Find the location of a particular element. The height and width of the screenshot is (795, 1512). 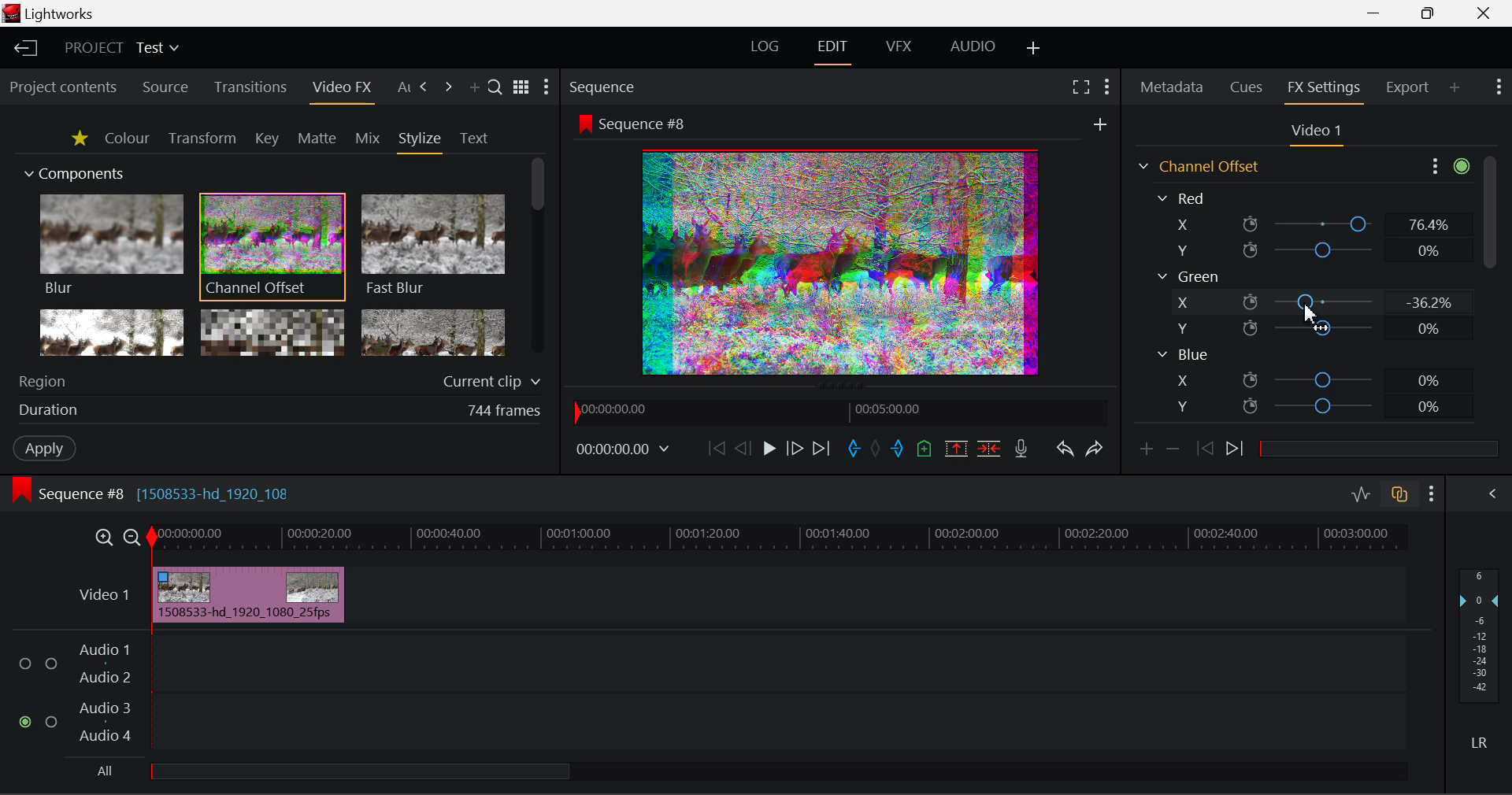

Edit Layout Open is located at coordinates (832, 52).